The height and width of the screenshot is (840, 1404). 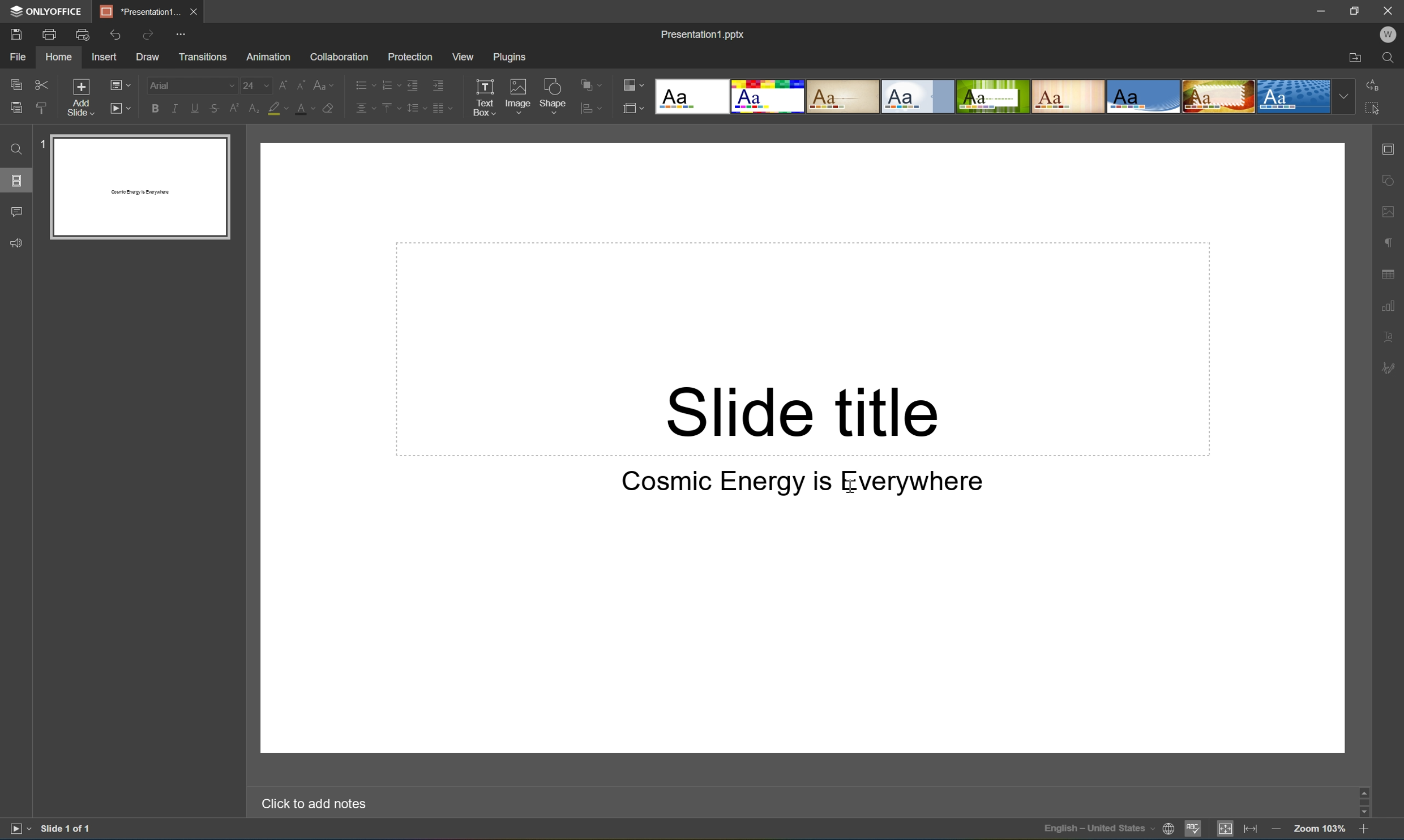 I want to click on Close, so click(x=197, y=10).